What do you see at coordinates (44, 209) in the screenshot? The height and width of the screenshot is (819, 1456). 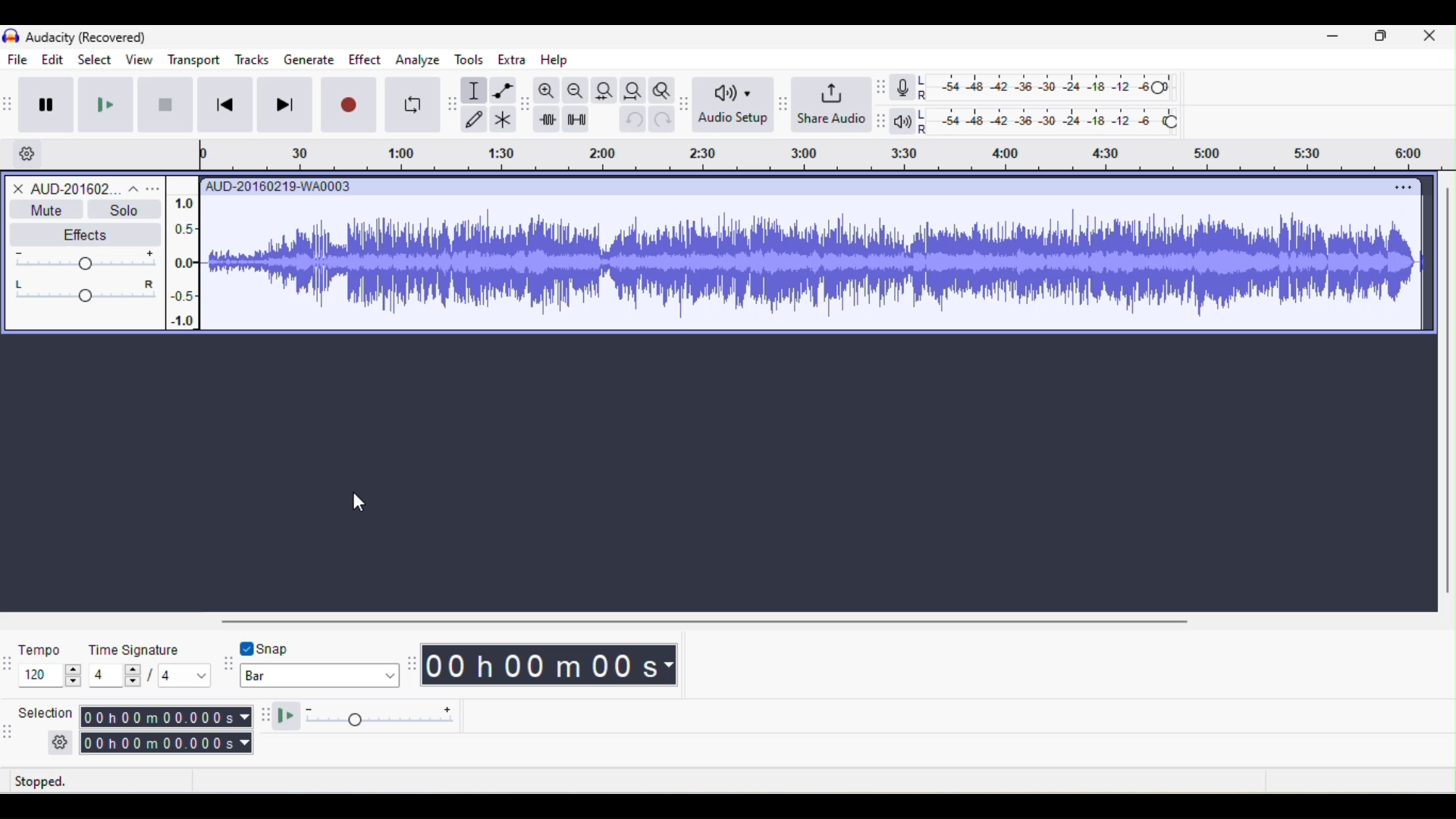 I see `mute` at bounding box center [44, 209].